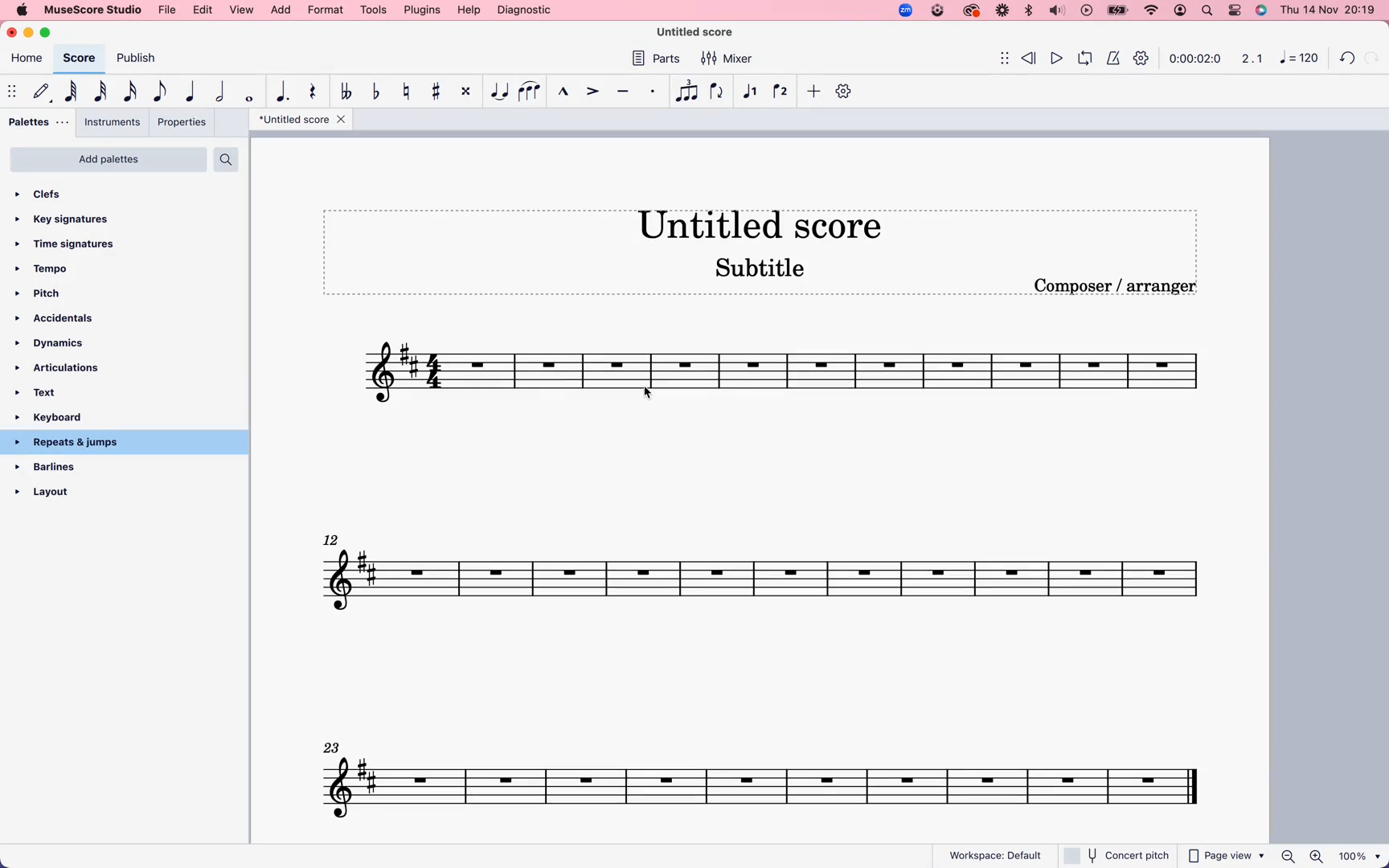 The width and height of the screenshot is (1389, 868). What do you see at coordinates (409, 92) in the screenshot?
I see `toggle natural` at bounding box center [409, 92].